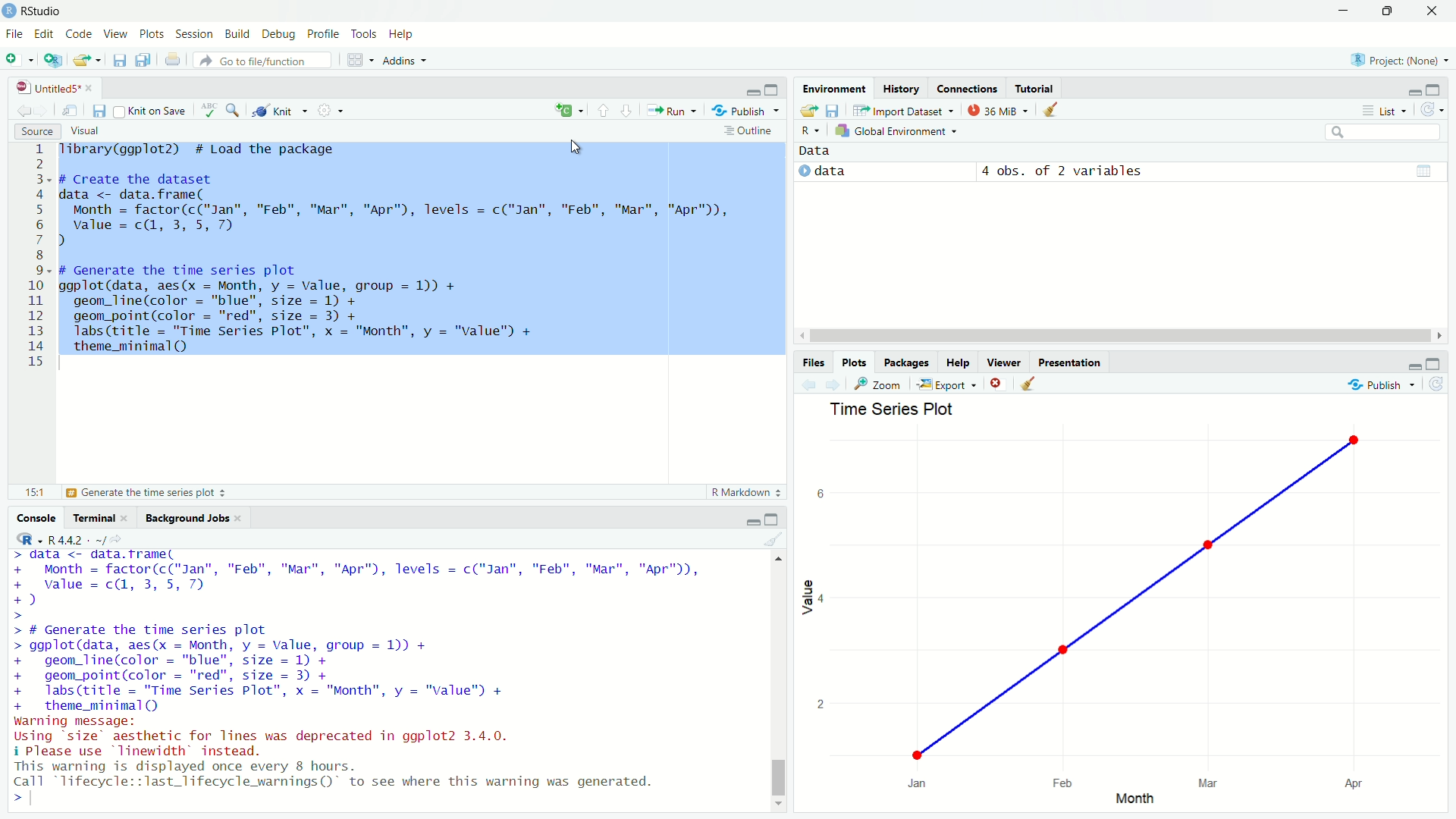 The width and height of the screenshot is (1456, 819). Describe the element at coordinates (152, 494) in the screenshot. I see `generate the time series plot` at that location.